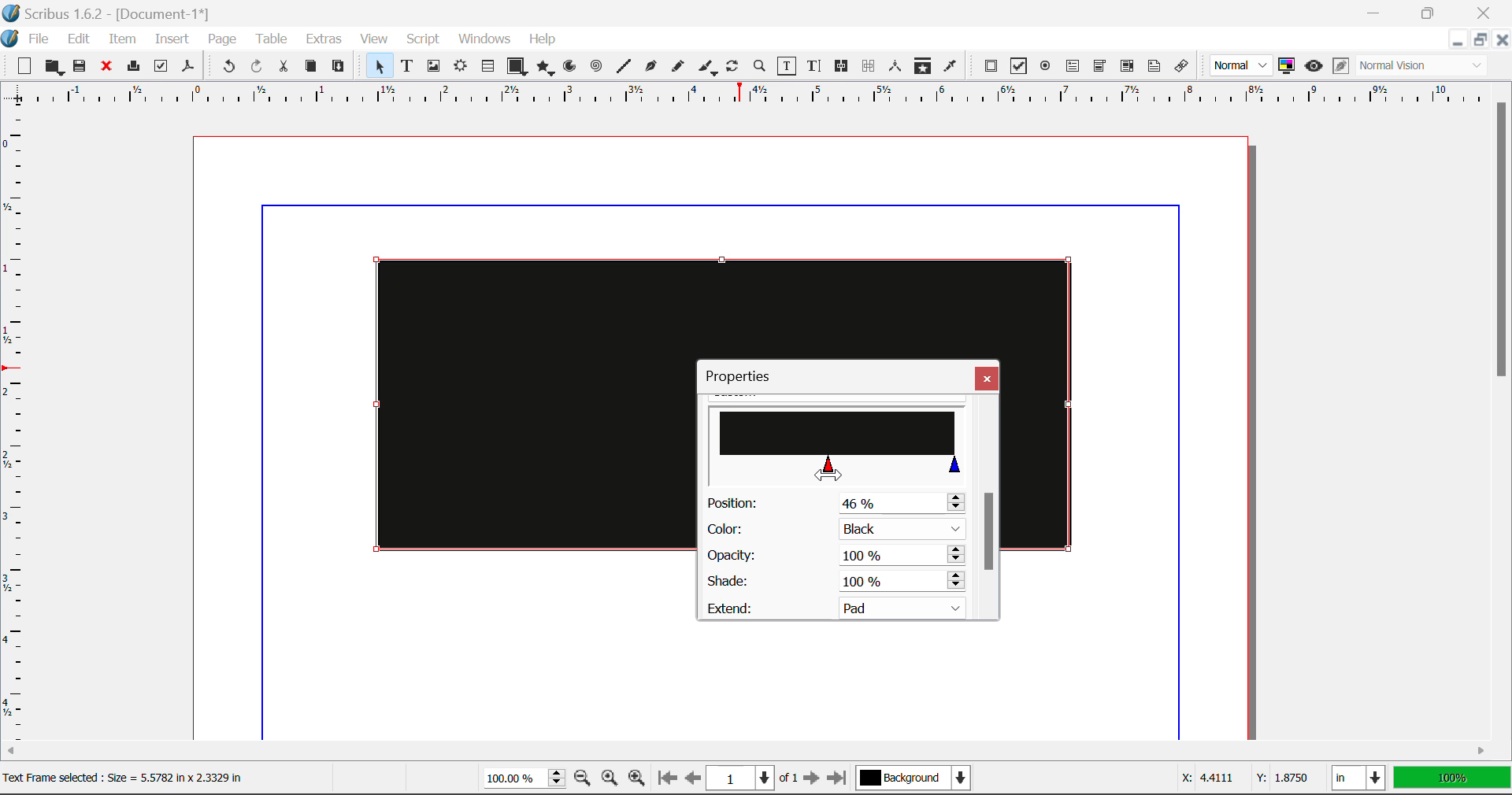  Describe the element at coordinates (123, 41) in the screenshot. I see `Item` at that location.